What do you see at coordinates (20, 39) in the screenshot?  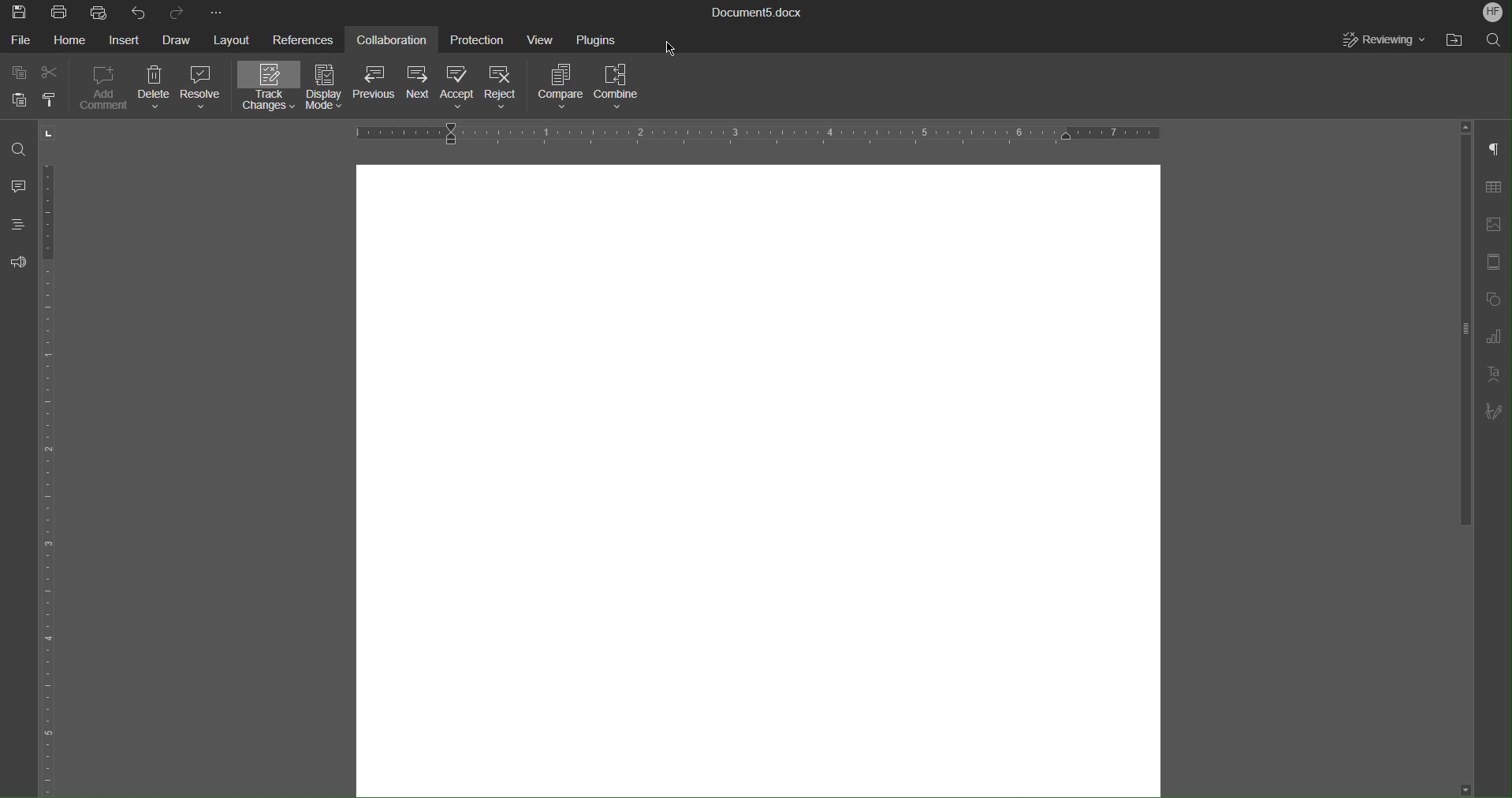 I see `File ` at bounding box center [20, 39].